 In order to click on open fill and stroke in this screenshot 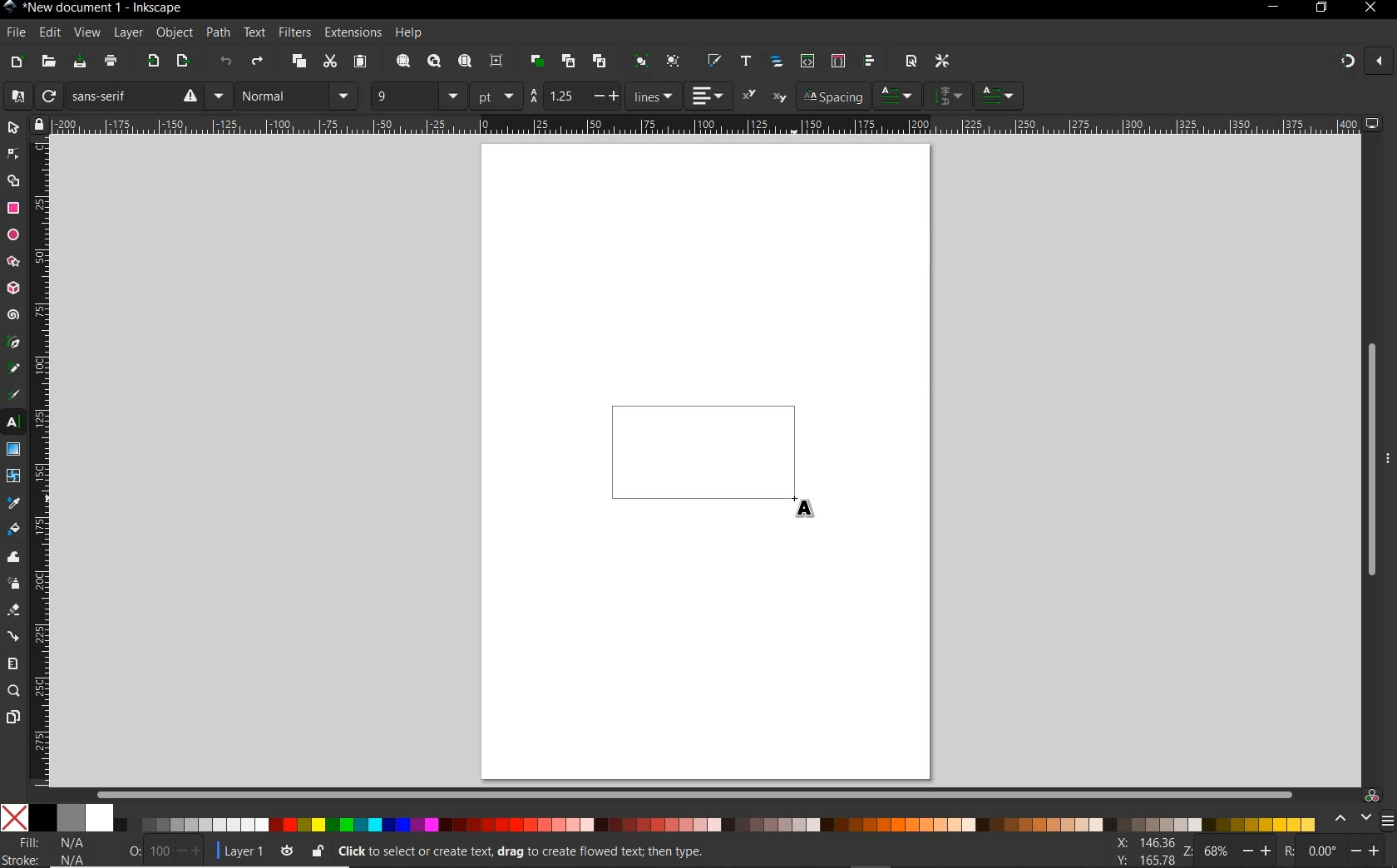, I will do `click(713, 61)`.